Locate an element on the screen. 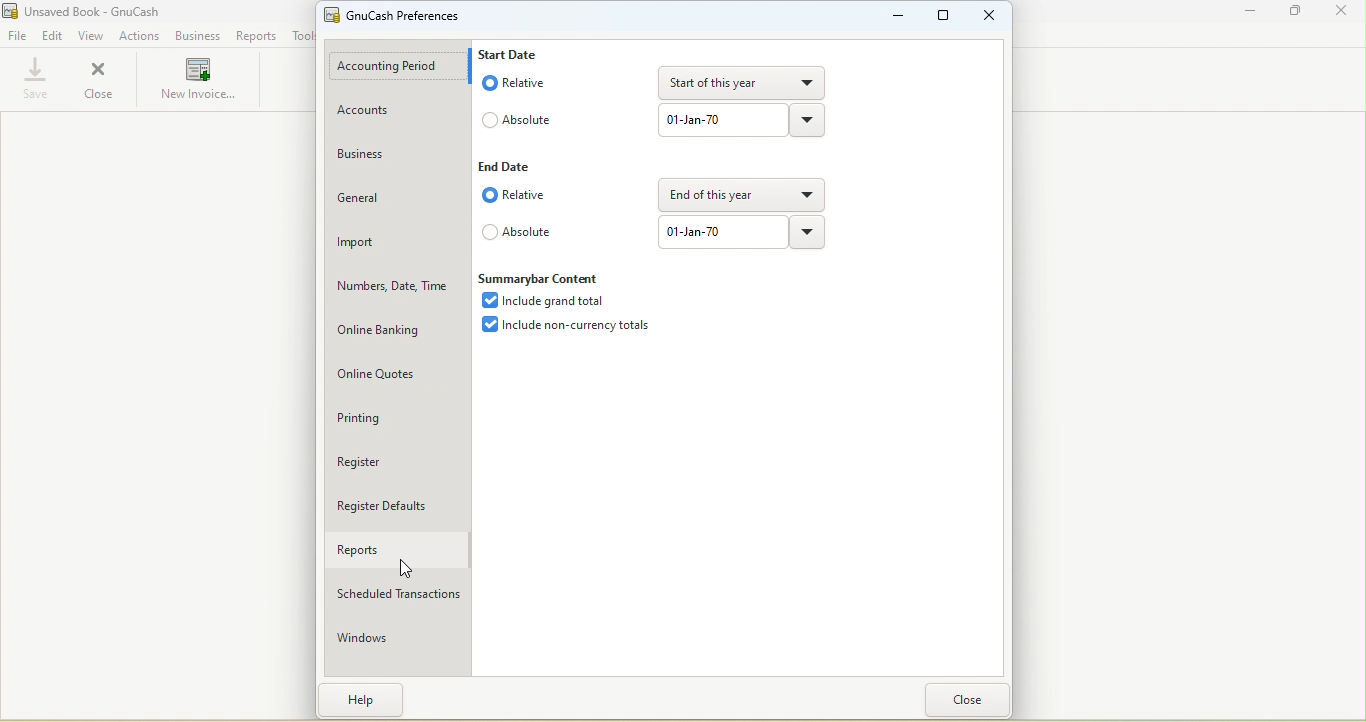 The width and height of the screenshot is (1366, 722). Edit is located at coordinates (53, 37).